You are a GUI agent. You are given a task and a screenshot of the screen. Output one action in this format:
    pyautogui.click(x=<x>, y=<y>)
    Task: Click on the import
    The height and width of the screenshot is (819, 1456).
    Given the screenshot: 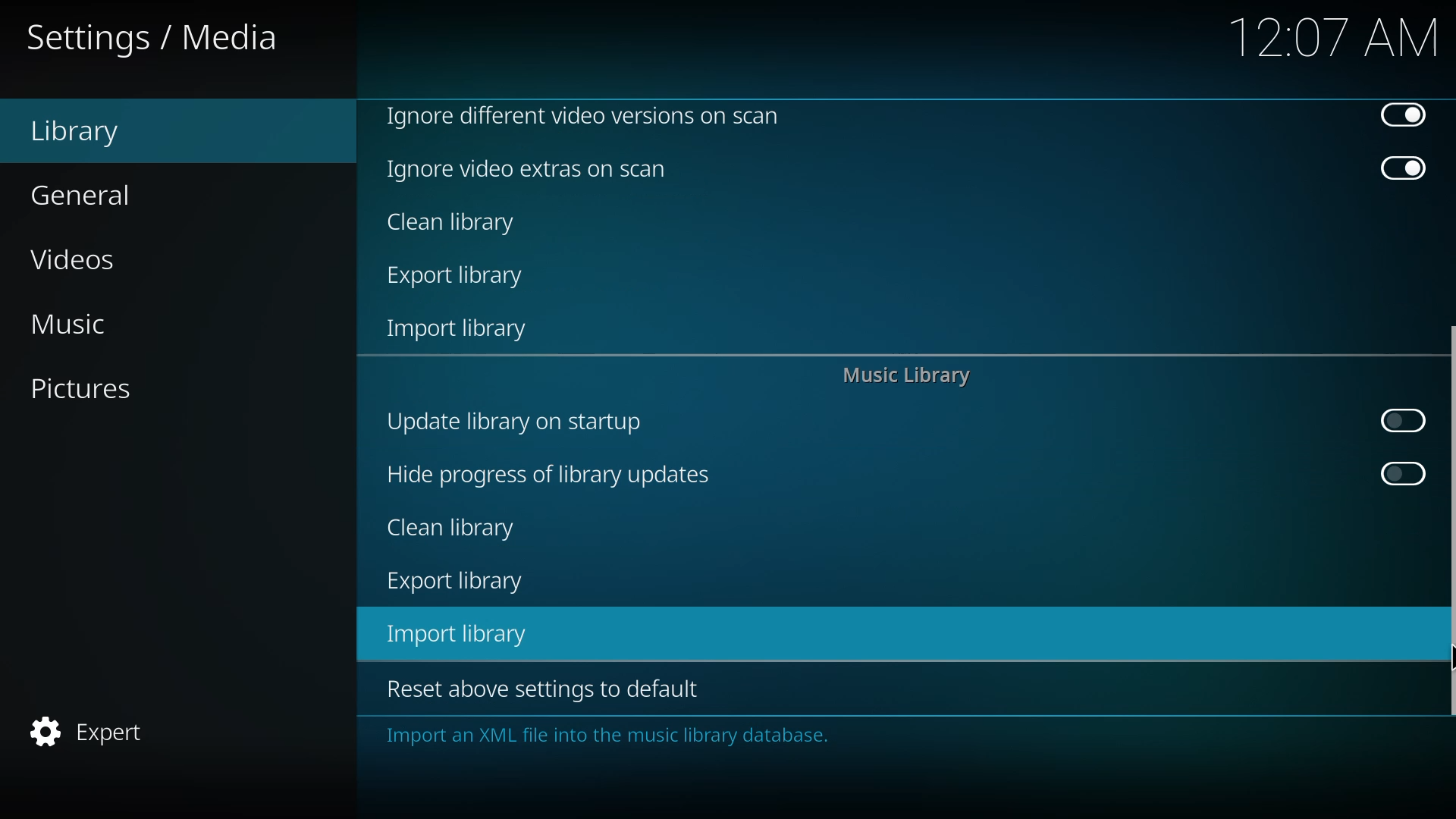 What is the action you would take?
    pyautogui.click(x=460, y=634)
    